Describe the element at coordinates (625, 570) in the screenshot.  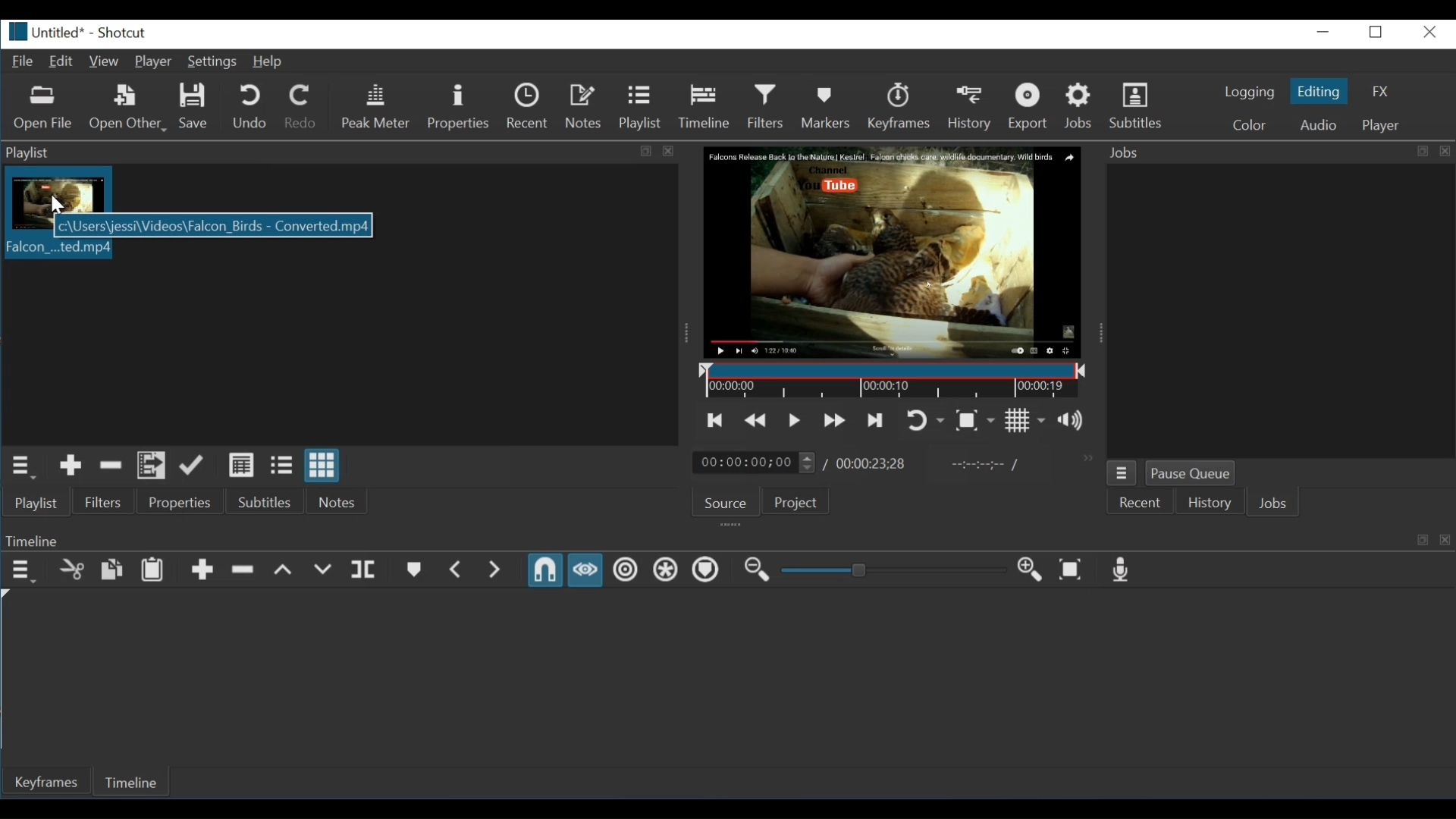
I see `Ripple` at that location.